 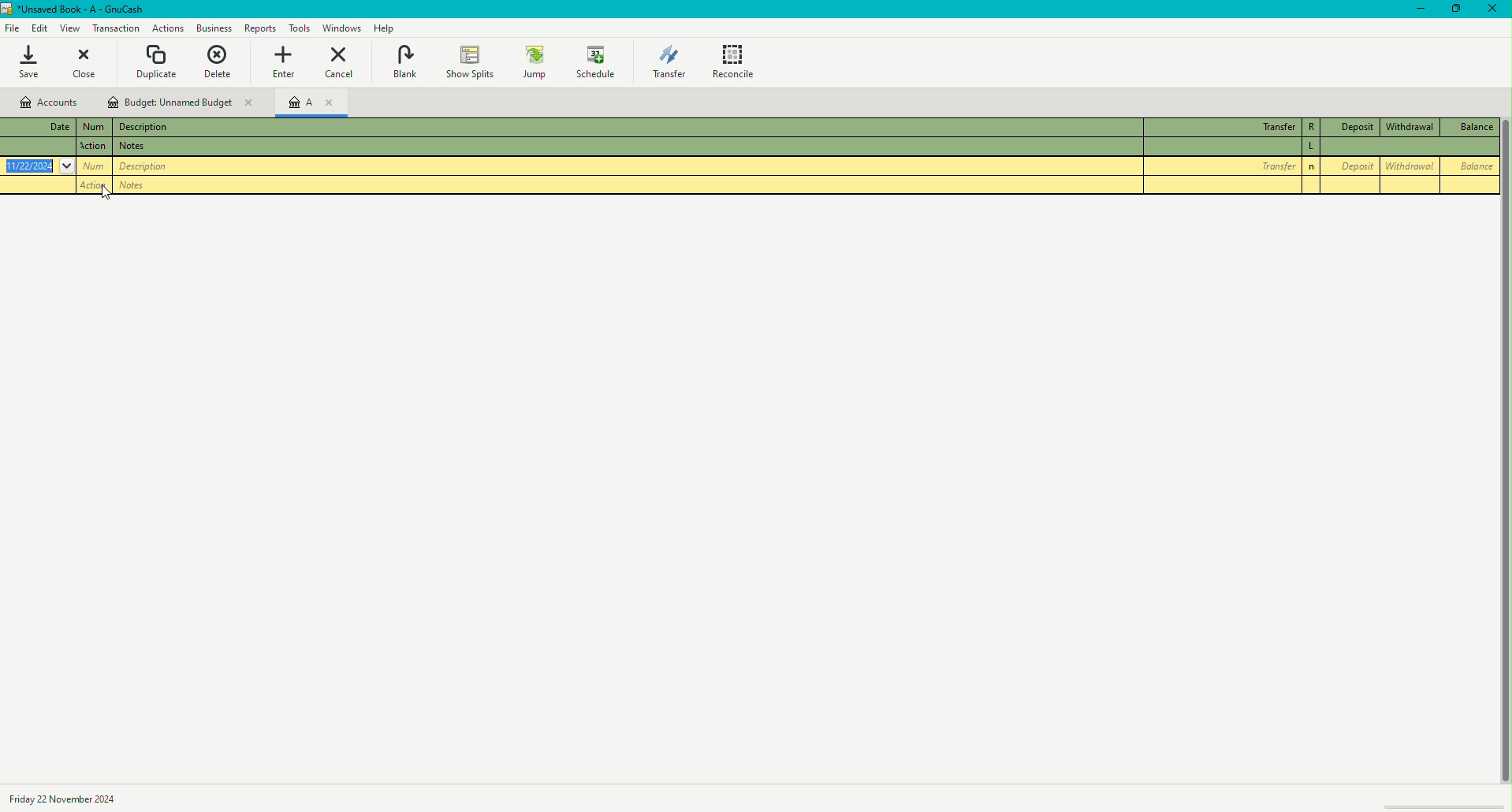 I want to click on Jump, so click(x=534, y=62).